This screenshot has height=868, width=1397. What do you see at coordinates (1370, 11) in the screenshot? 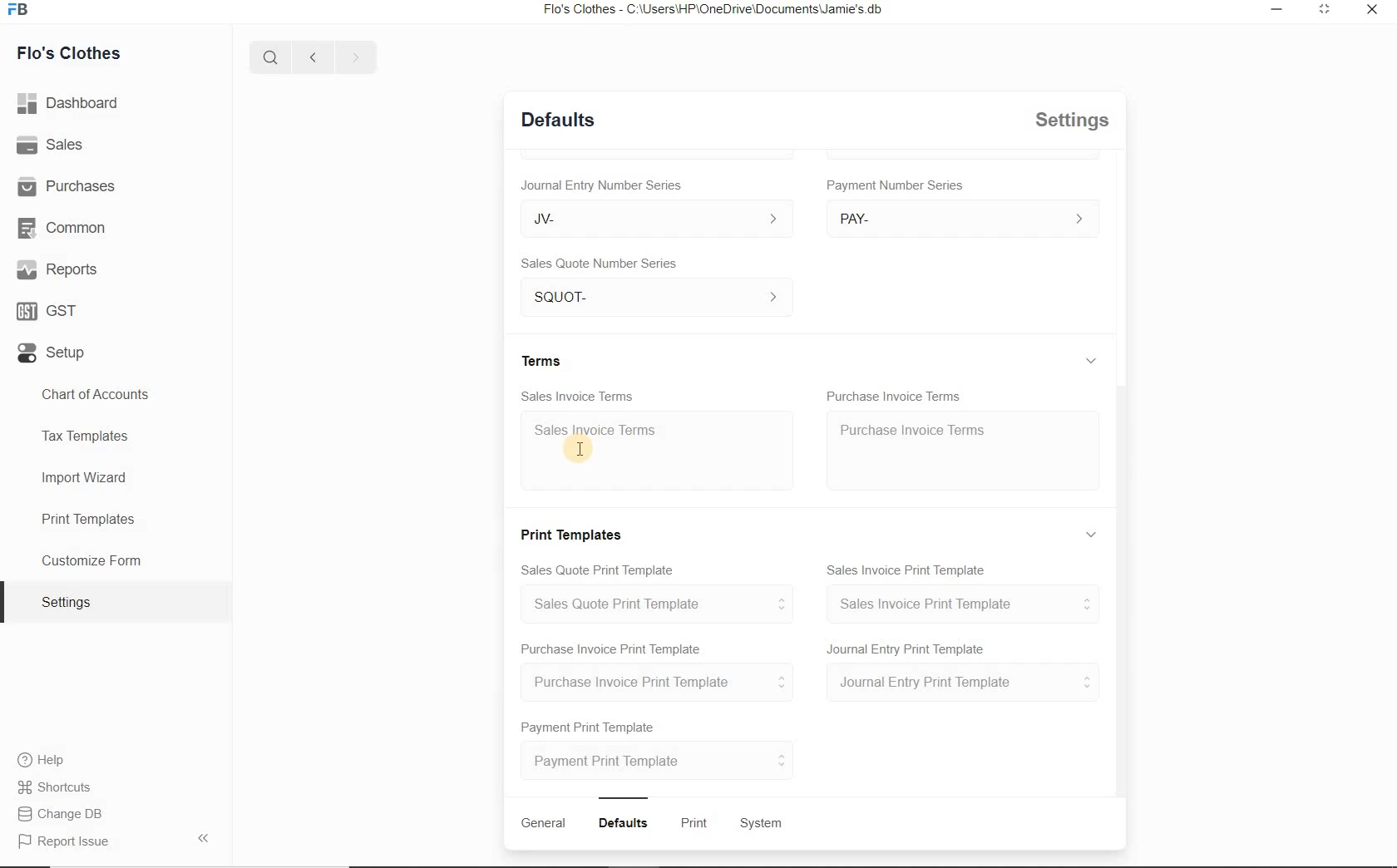
I see `Close` at bounding box center [1370, 11].